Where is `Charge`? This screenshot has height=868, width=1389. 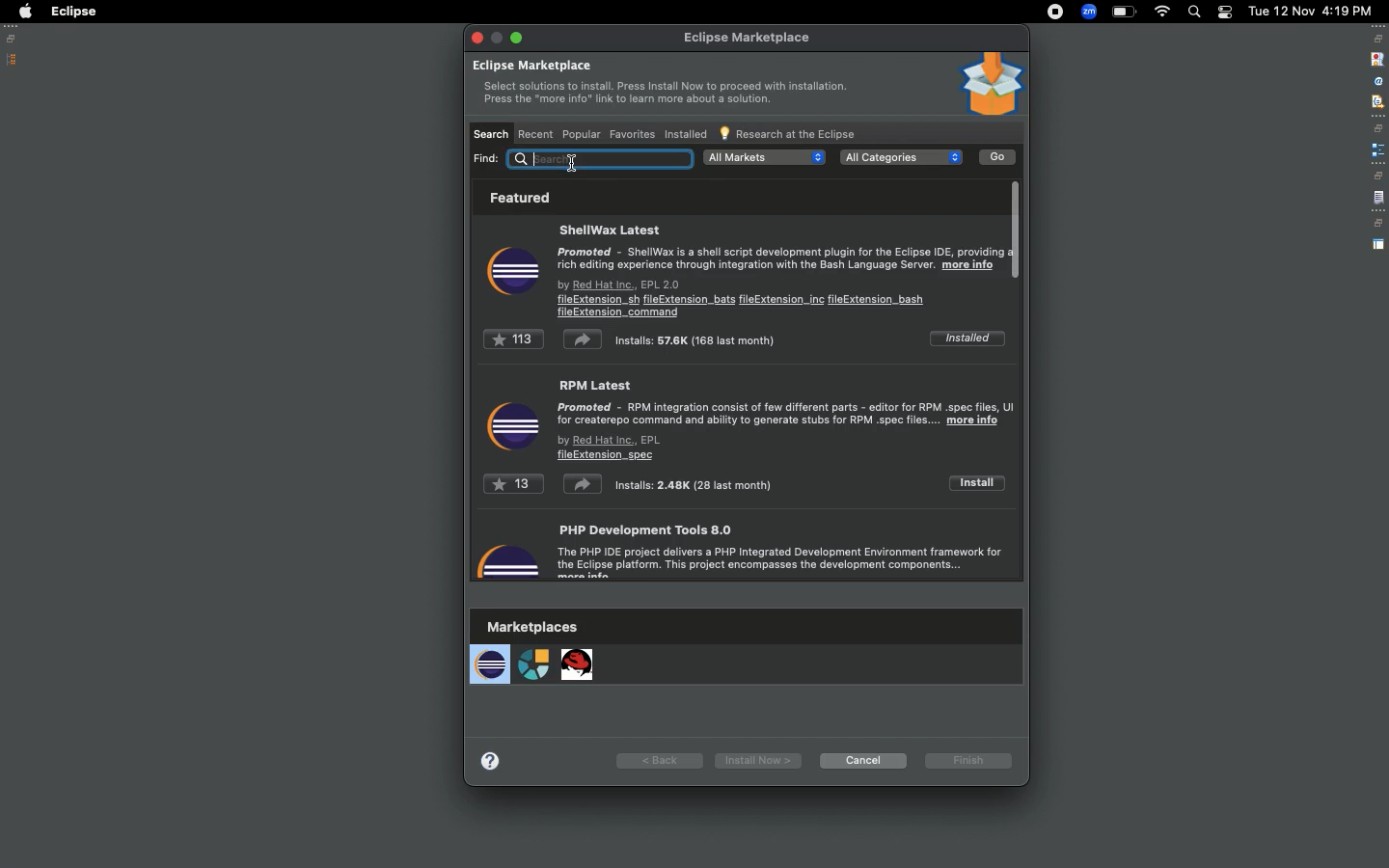 Charge is located at coordinates (1124, 13).